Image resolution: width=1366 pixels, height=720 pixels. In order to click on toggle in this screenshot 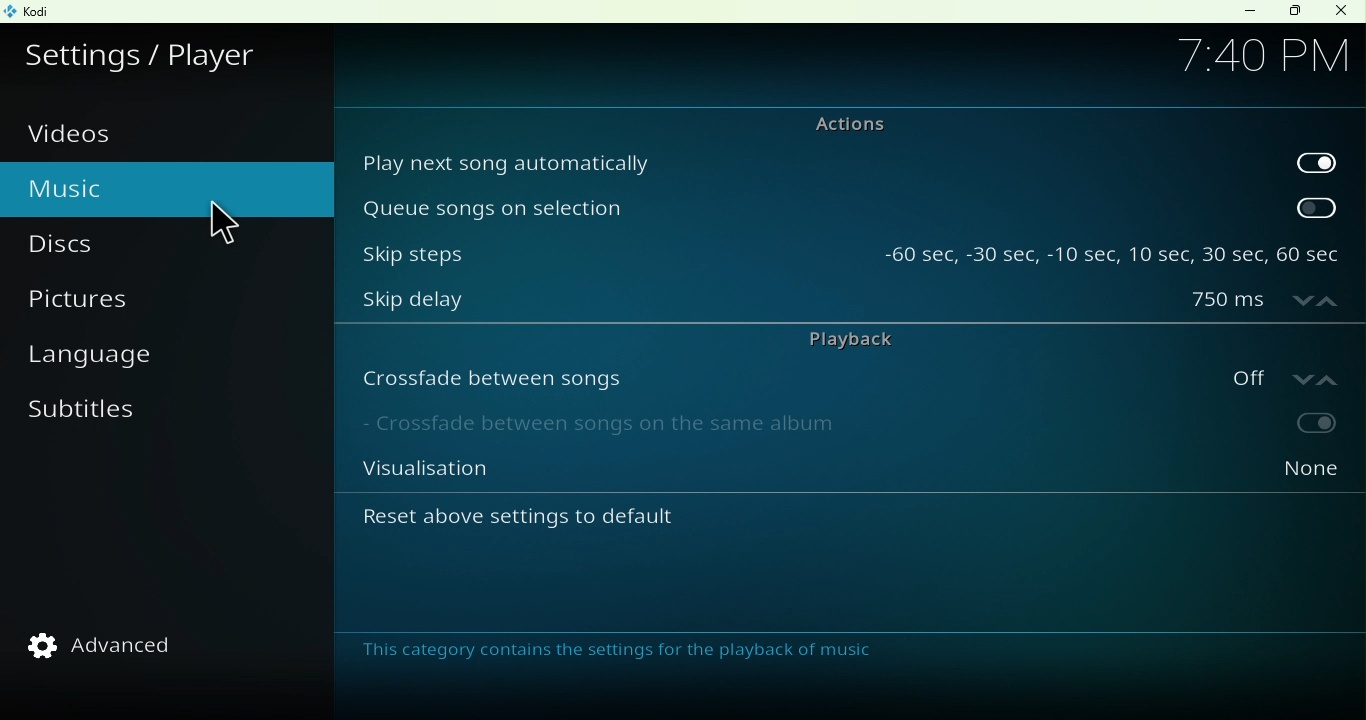, I will do `click(1269, 425)`.